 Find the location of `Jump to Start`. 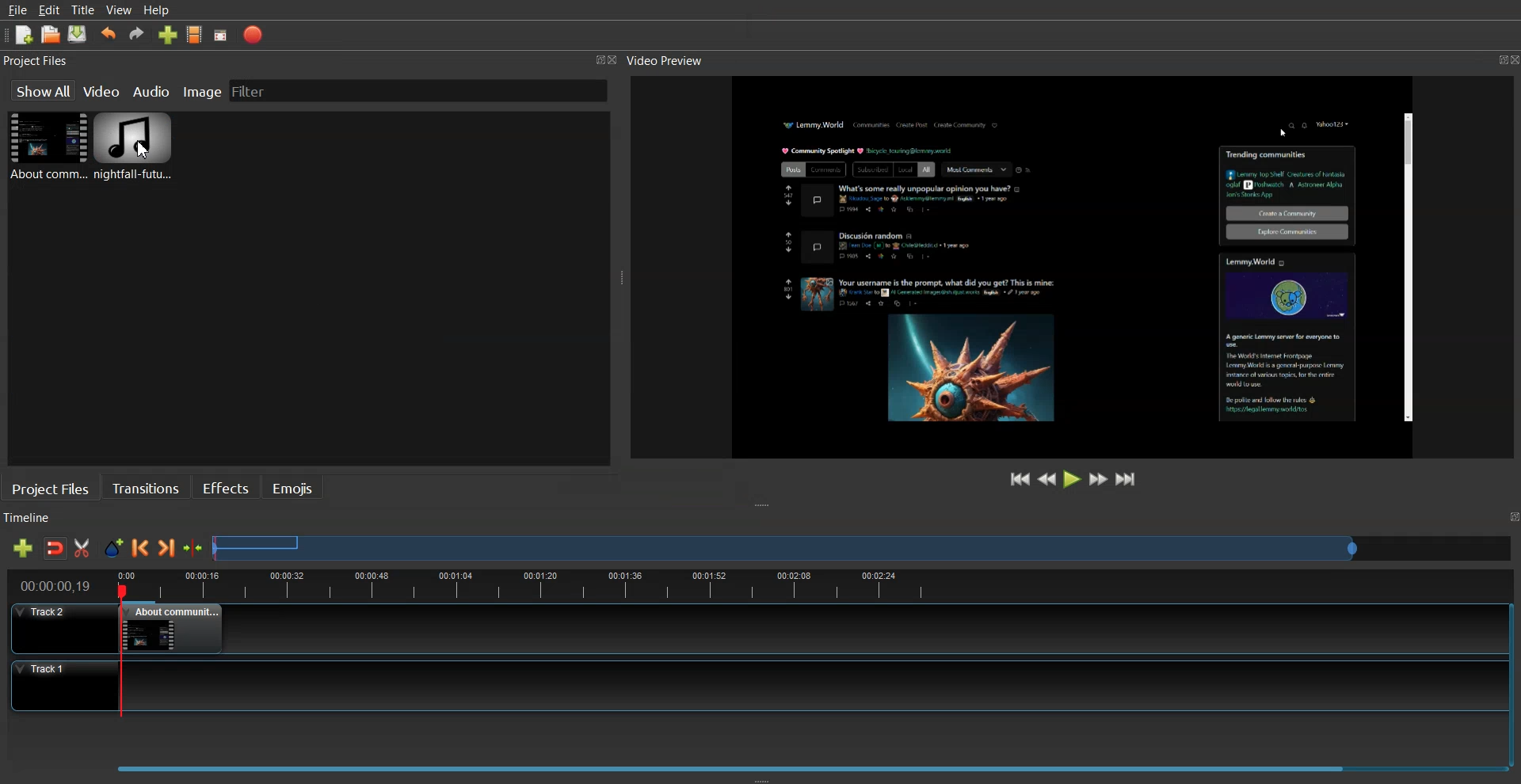

Jump to Start is located at coordinates (1021, 479).